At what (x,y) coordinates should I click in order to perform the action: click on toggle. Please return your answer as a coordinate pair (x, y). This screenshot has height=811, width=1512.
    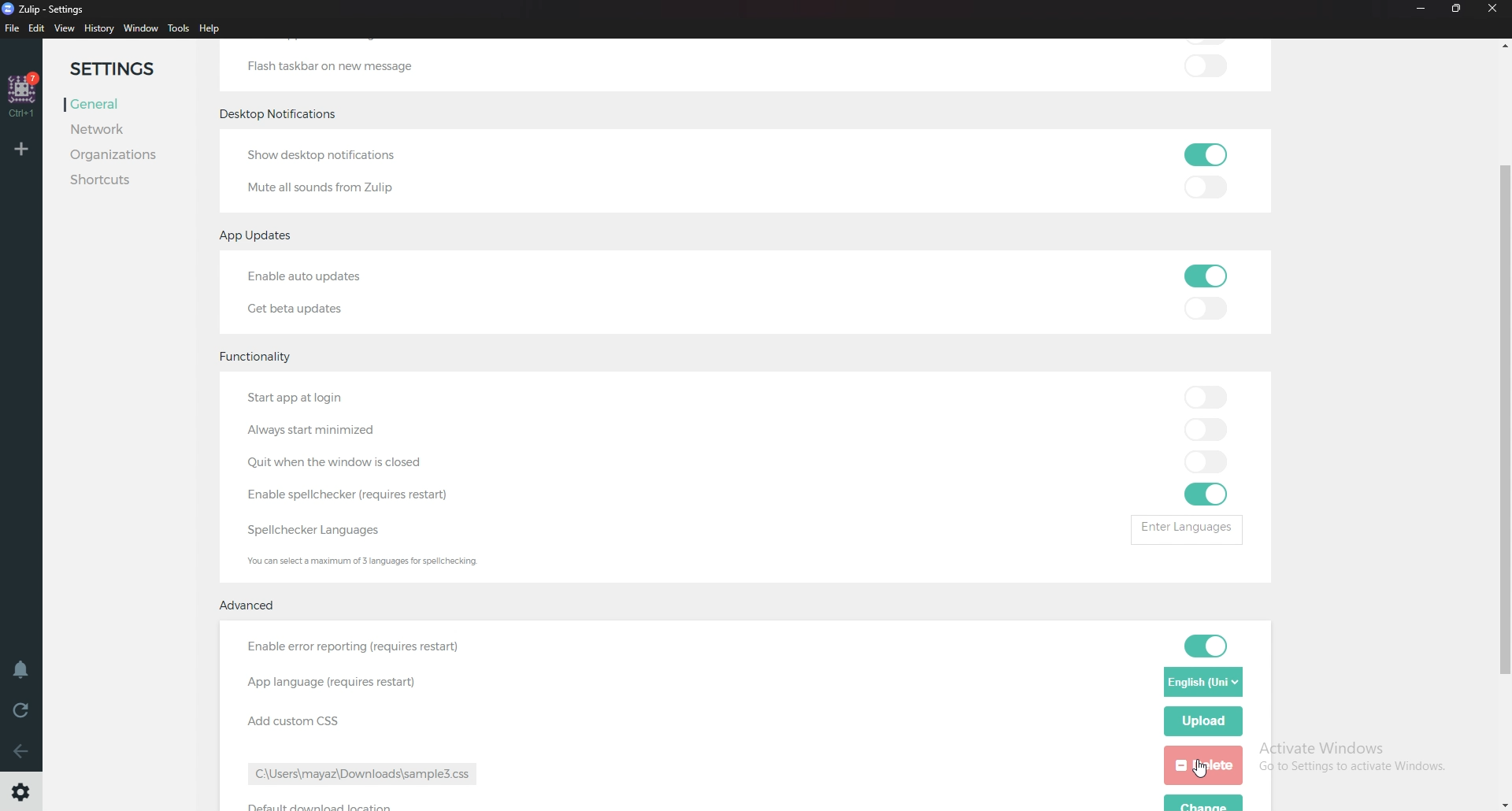
    Looking at the image, I should click on (1206, 154).